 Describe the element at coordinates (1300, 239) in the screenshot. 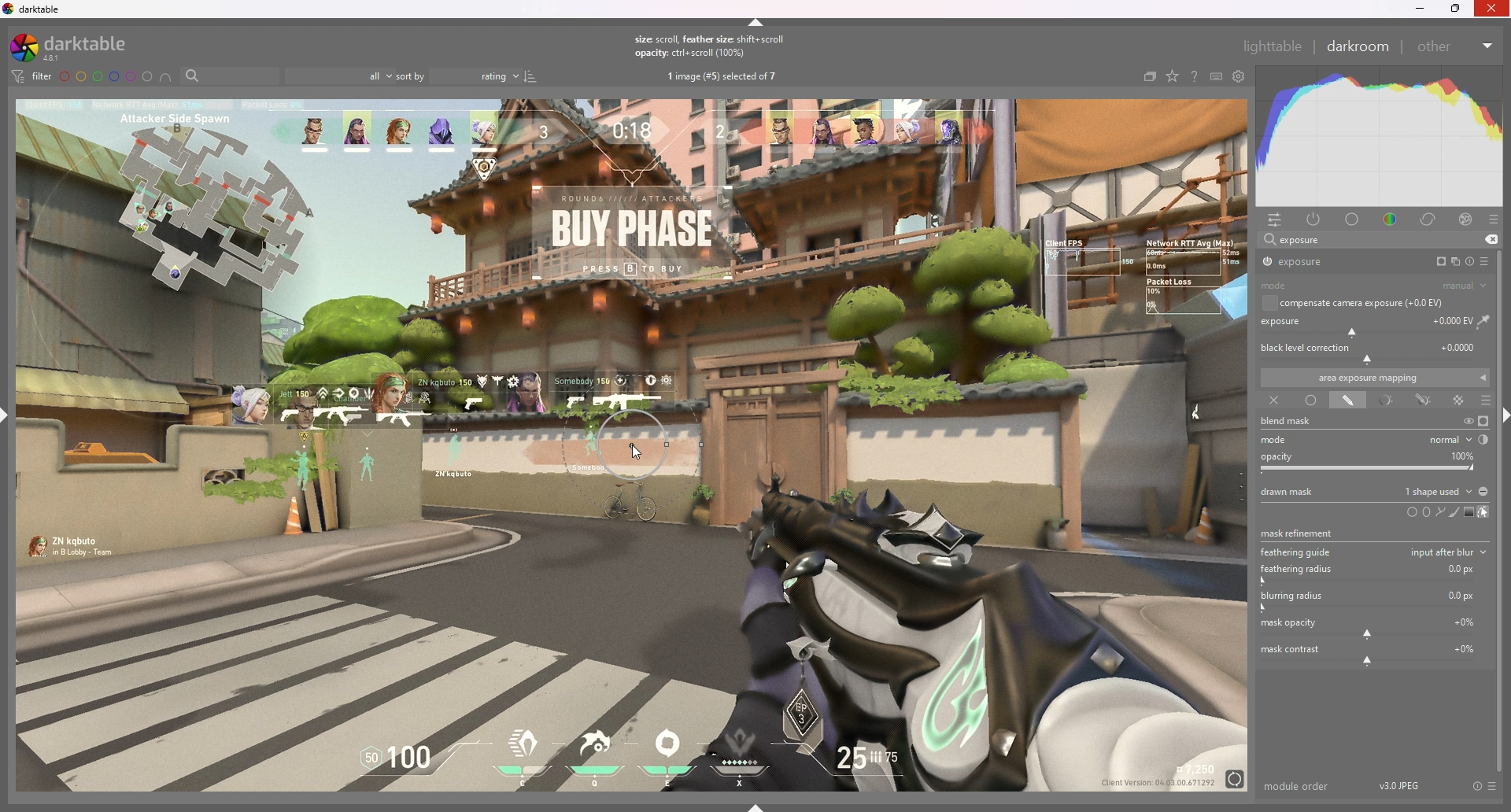

I see `exposure` at that location.